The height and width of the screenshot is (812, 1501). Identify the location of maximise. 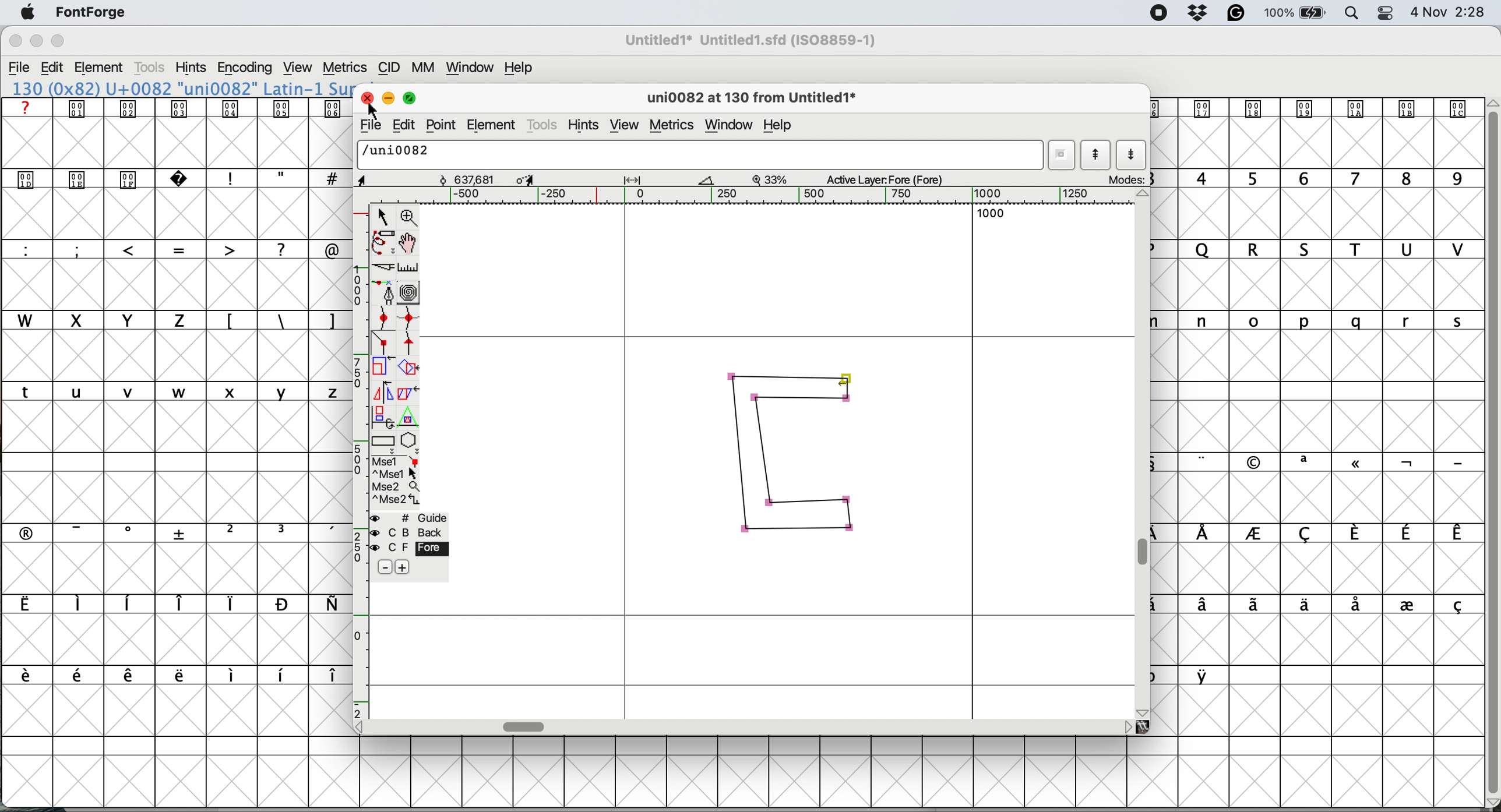
(59, 41).